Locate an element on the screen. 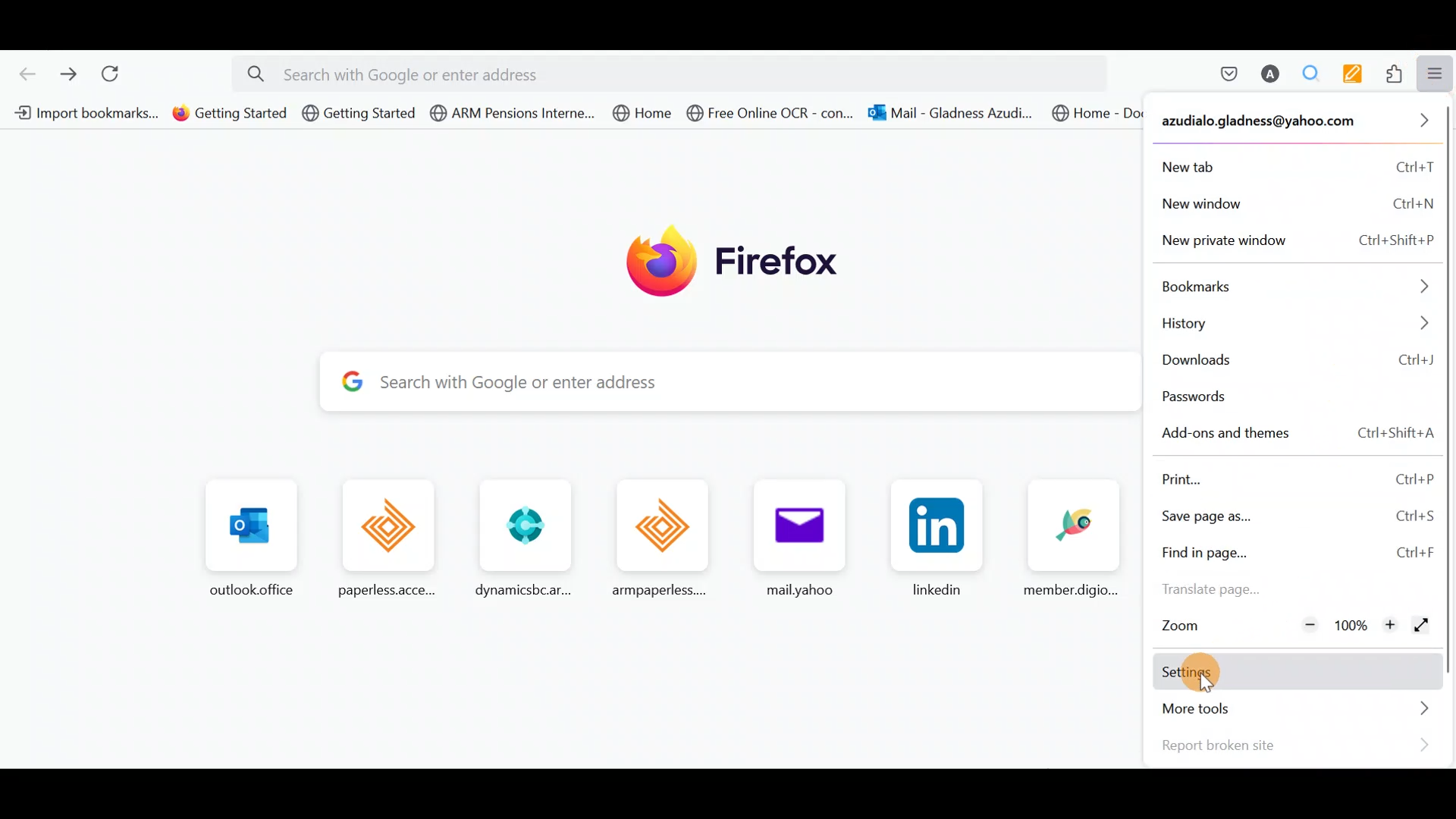  More tools is located at coordinates (1294, 704).